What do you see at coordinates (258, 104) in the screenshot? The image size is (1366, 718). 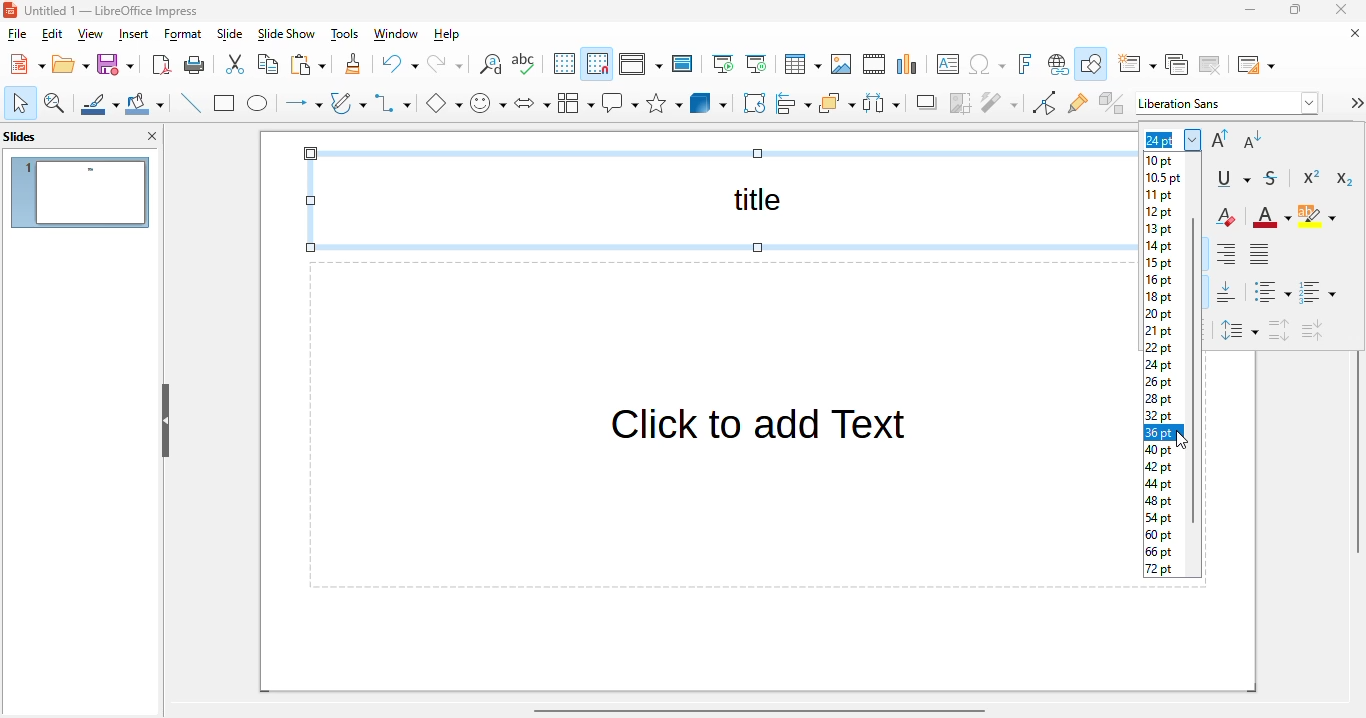 I see `ellipse` at bounding box center [258, 104].